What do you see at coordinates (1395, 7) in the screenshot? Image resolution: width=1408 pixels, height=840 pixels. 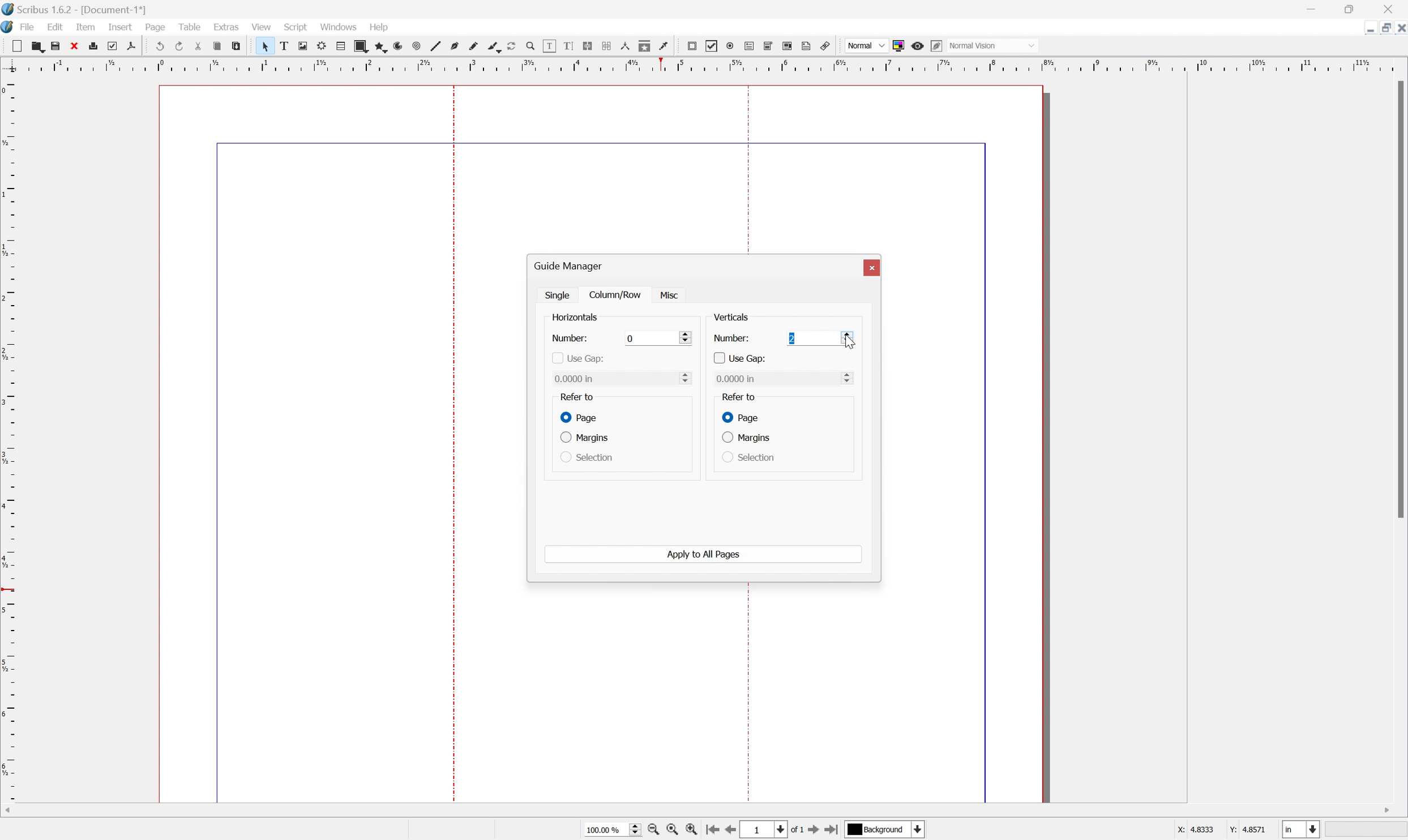 I see `close` at bounding box center [1395, 7].